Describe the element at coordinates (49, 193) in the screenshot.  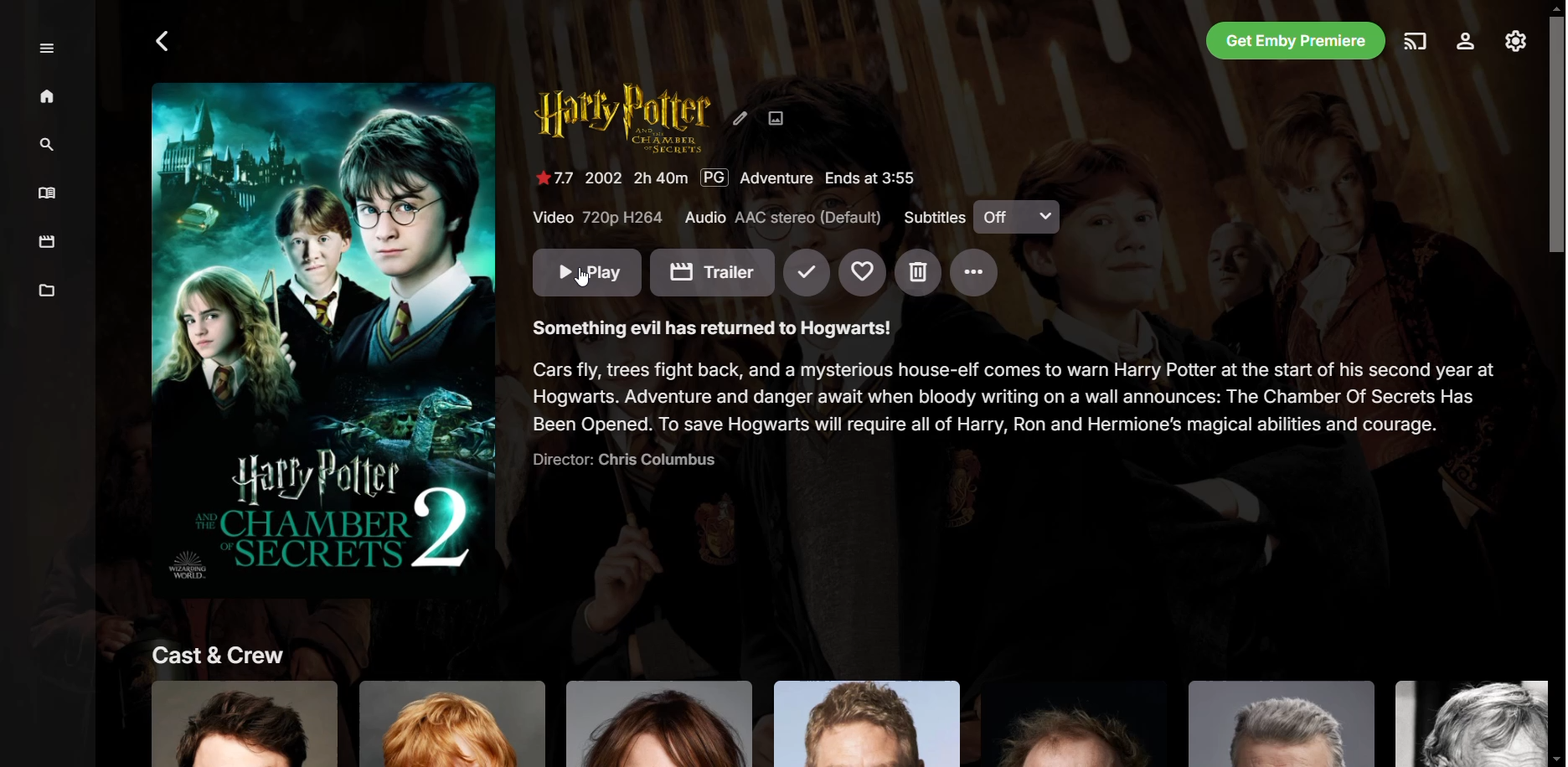
I see `Books` at that location.